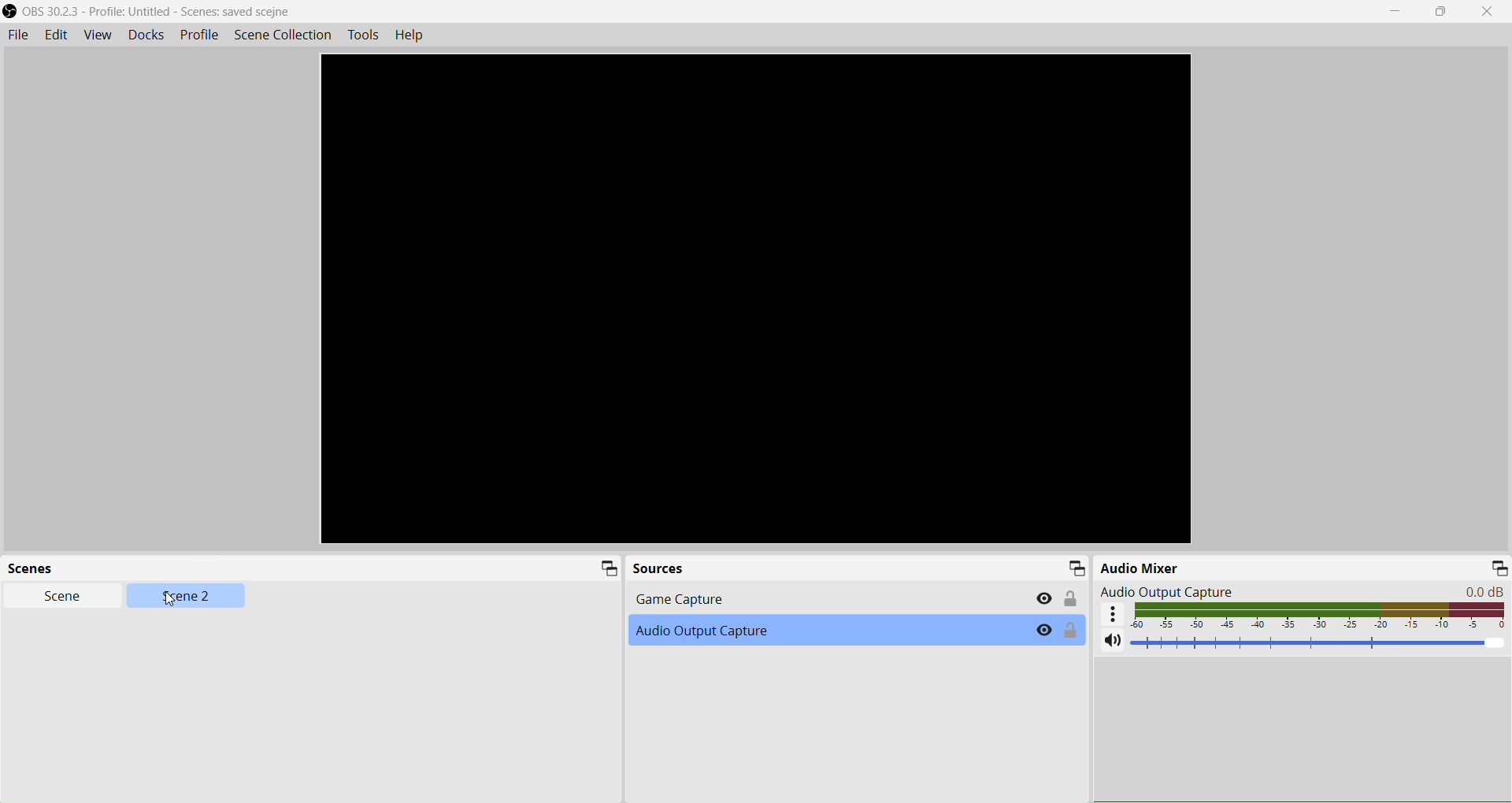 Image resolution: width=1512 pixels, height=803 pixels. Describe the element at coordinates (170, 598) in the screenshot. I see `Cursor` at that location.